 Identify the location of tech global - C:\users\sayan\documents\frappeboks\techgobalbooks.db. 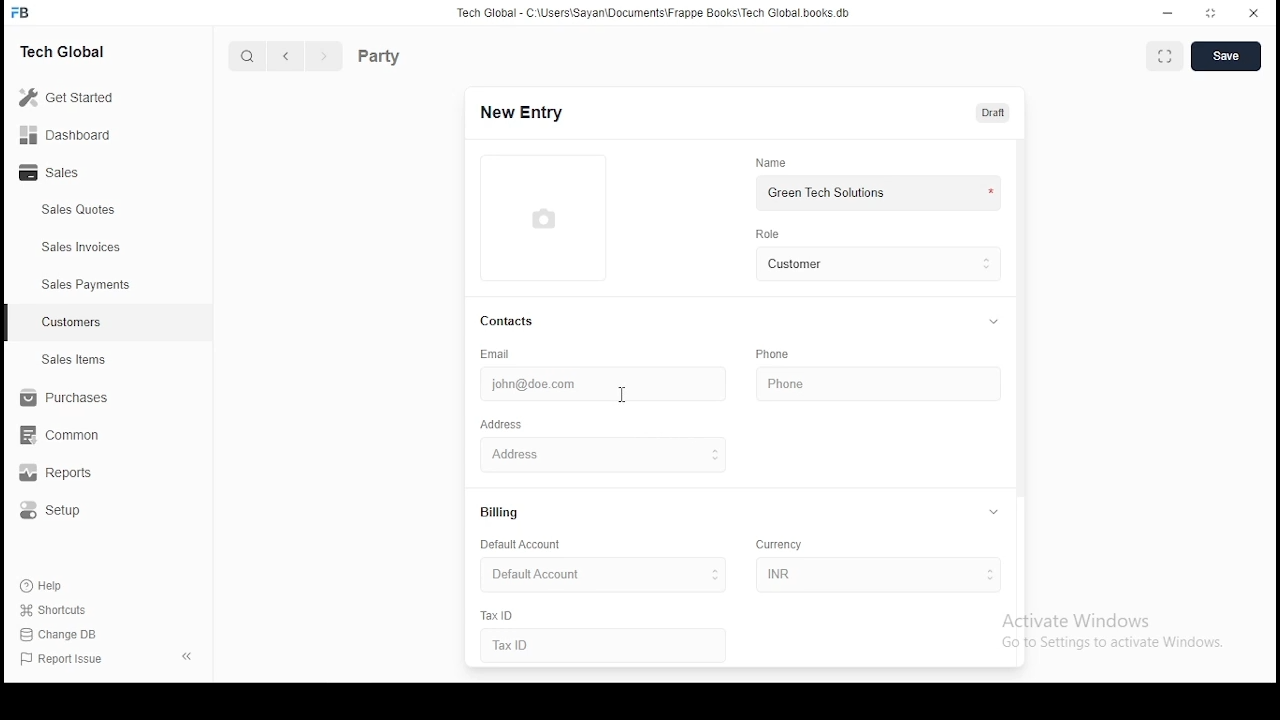
(655, 13).